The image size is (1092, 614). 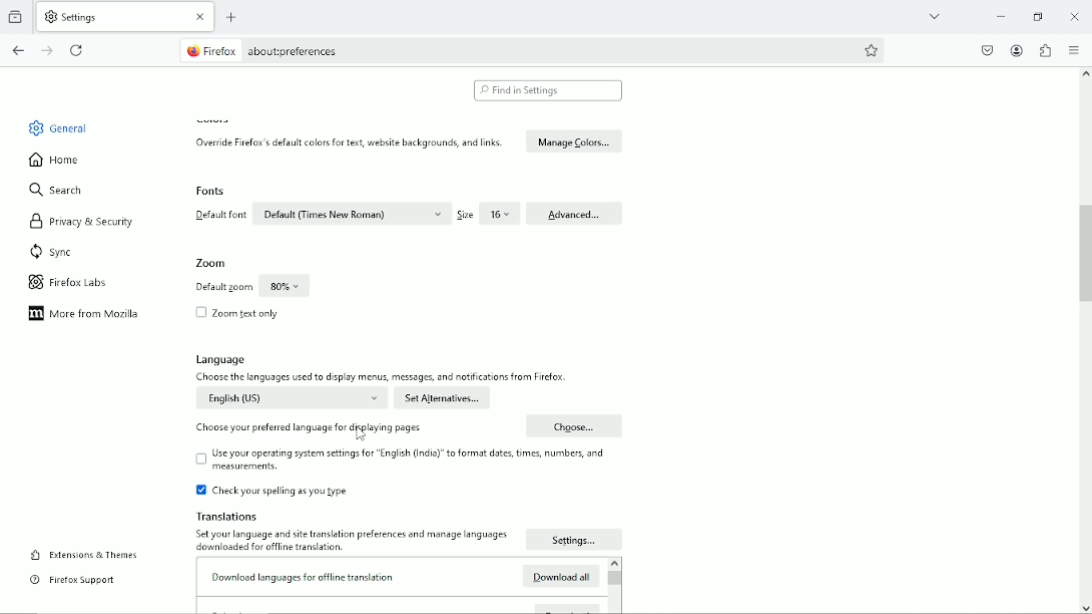 What do you see at coordinates (67, 251) in the screenshot?
I see `Sync` at bounding box center [67, 251].